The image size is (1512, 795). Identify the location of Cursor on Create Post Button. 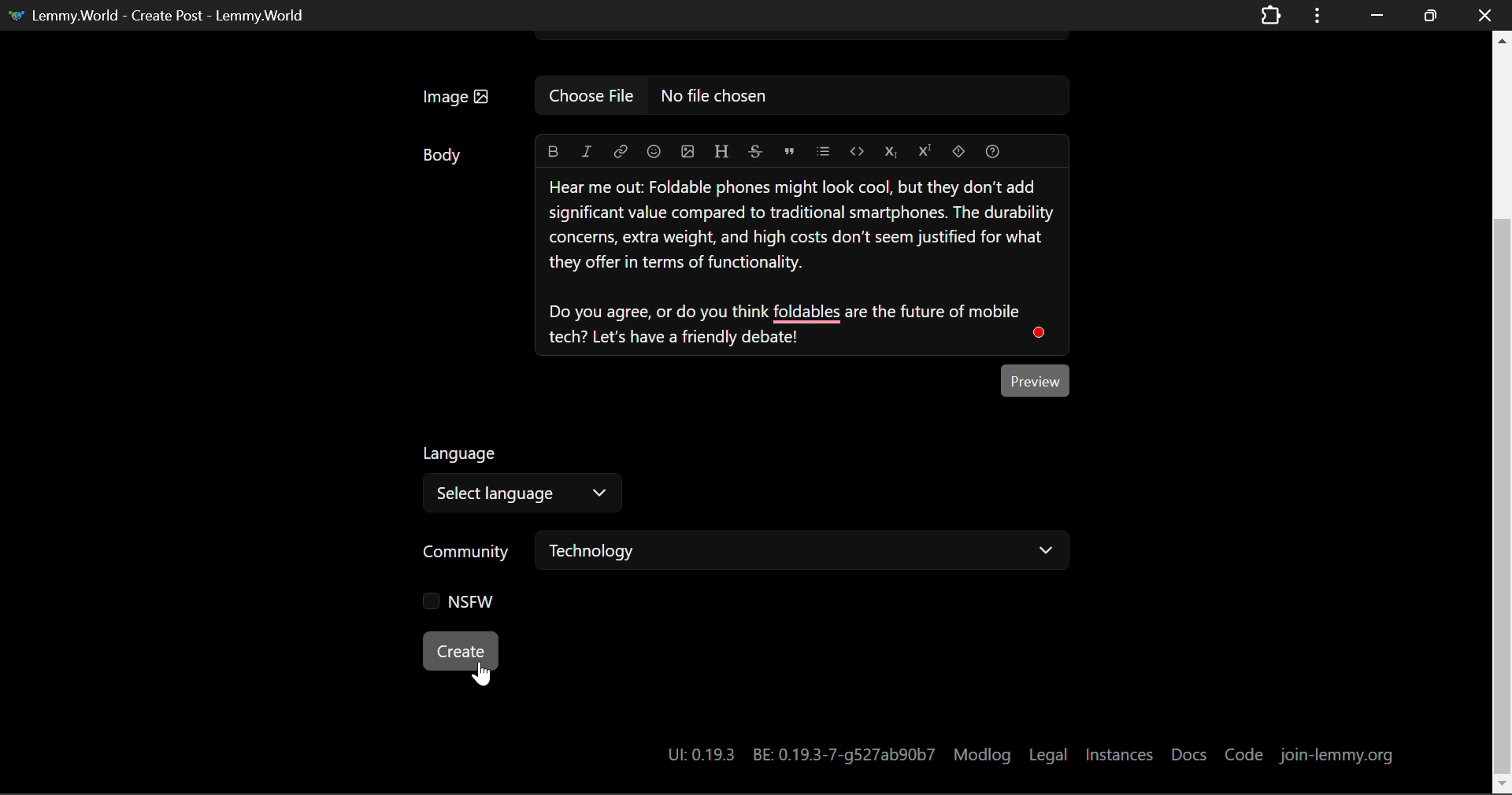
(481, 672).